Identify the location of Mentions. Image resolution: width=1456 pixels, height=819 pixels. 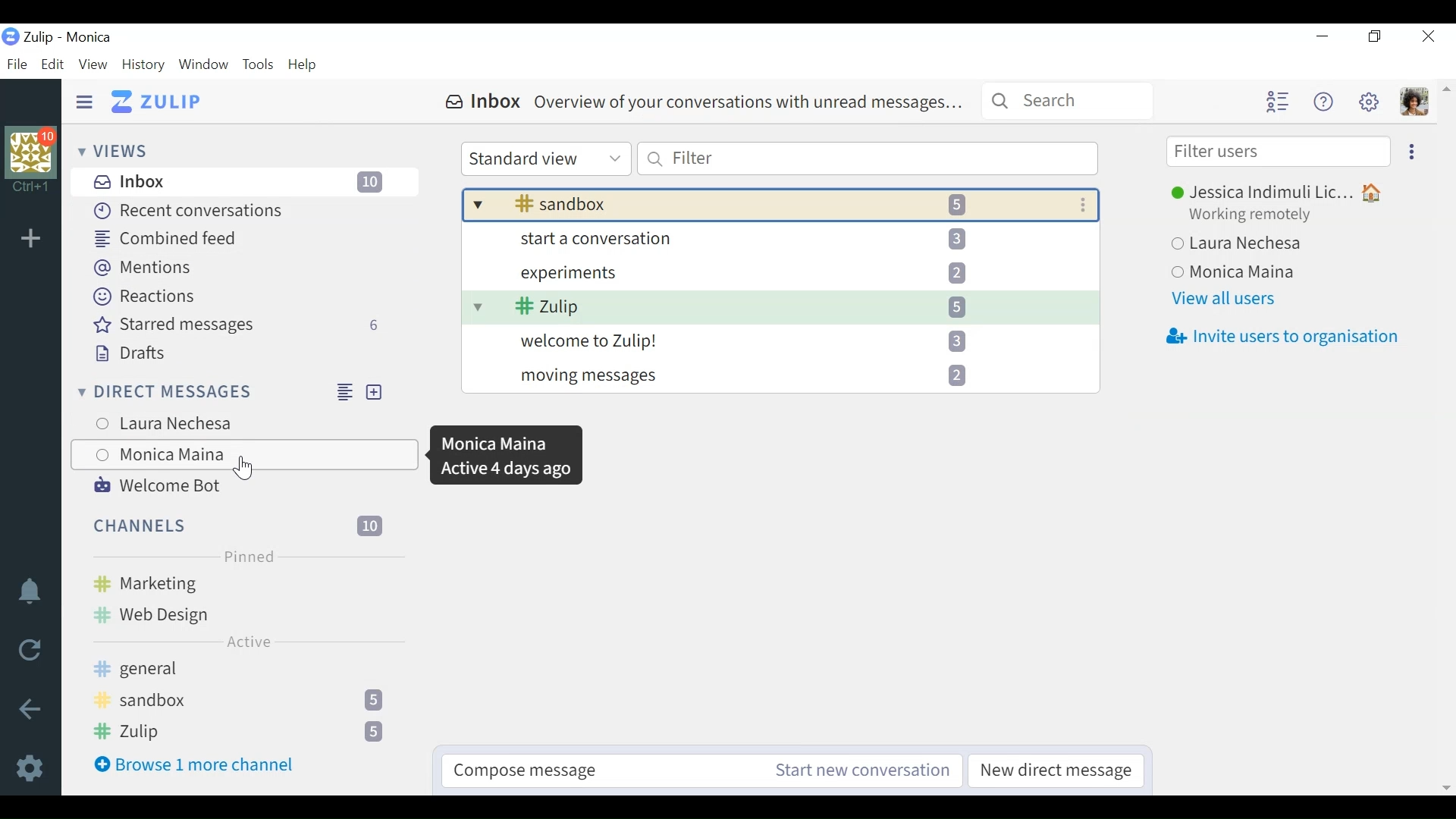
(142, 267).